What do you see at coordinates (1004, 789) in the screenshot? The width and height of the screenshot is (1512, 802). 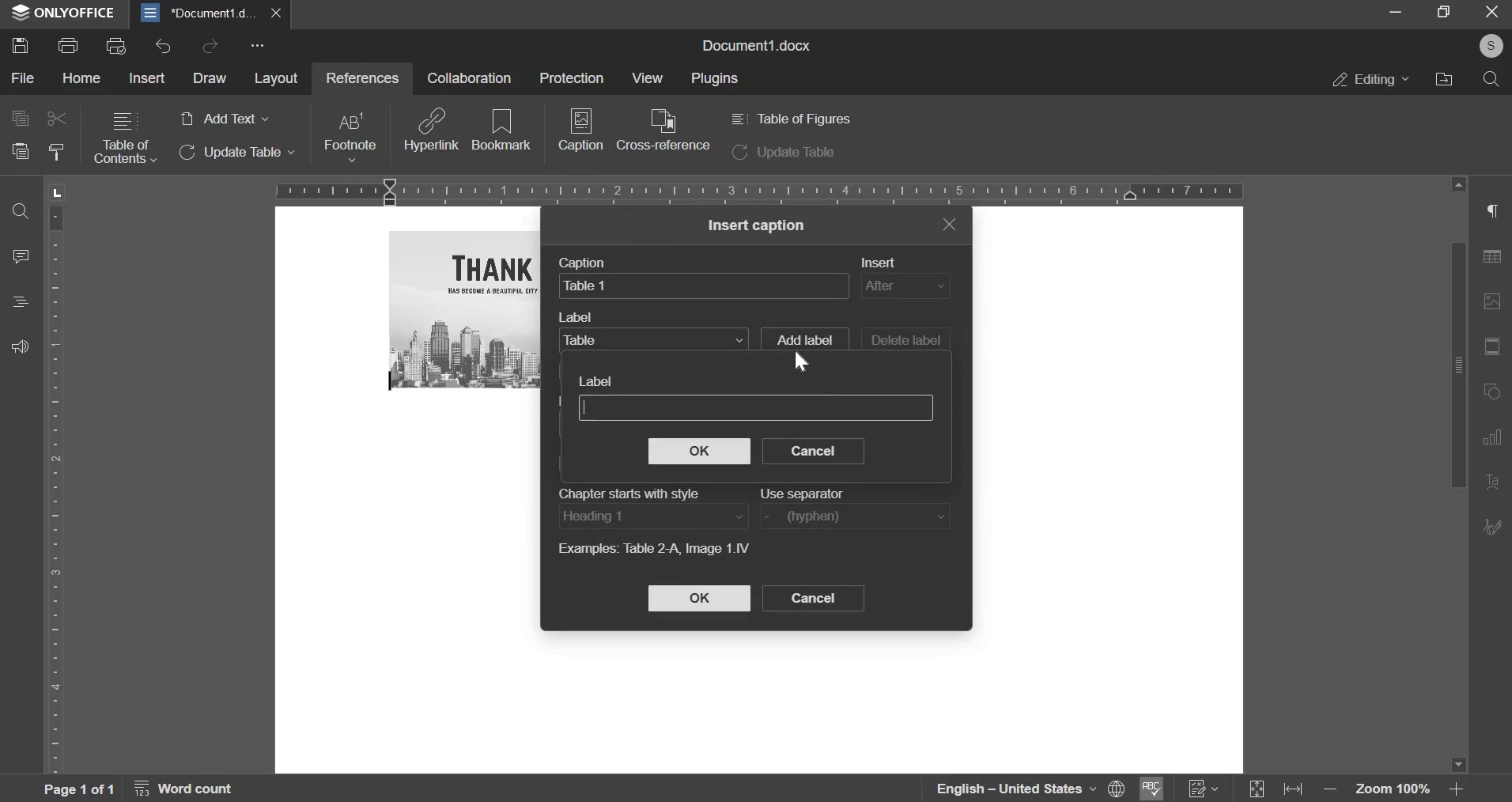 I see `language` at bounding box center [1004, 789].